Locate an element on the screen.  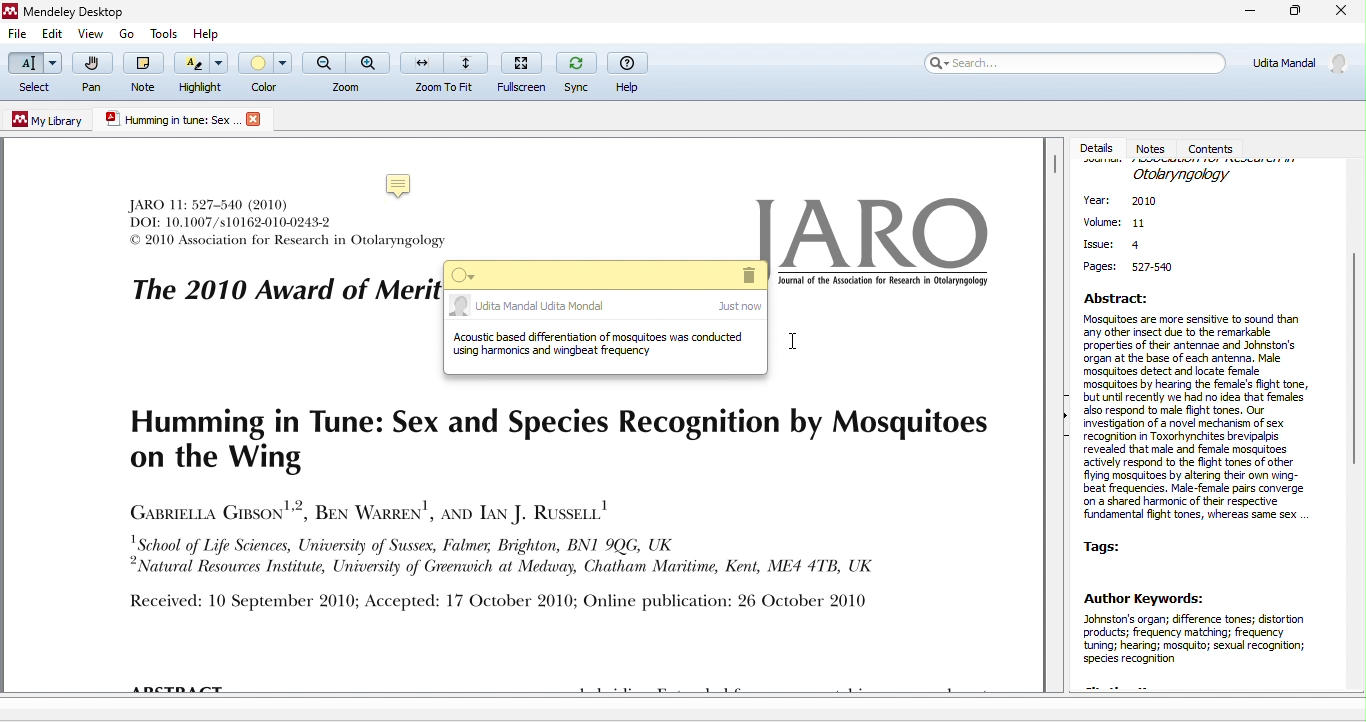
notes is located at coordinates (1154, 147).